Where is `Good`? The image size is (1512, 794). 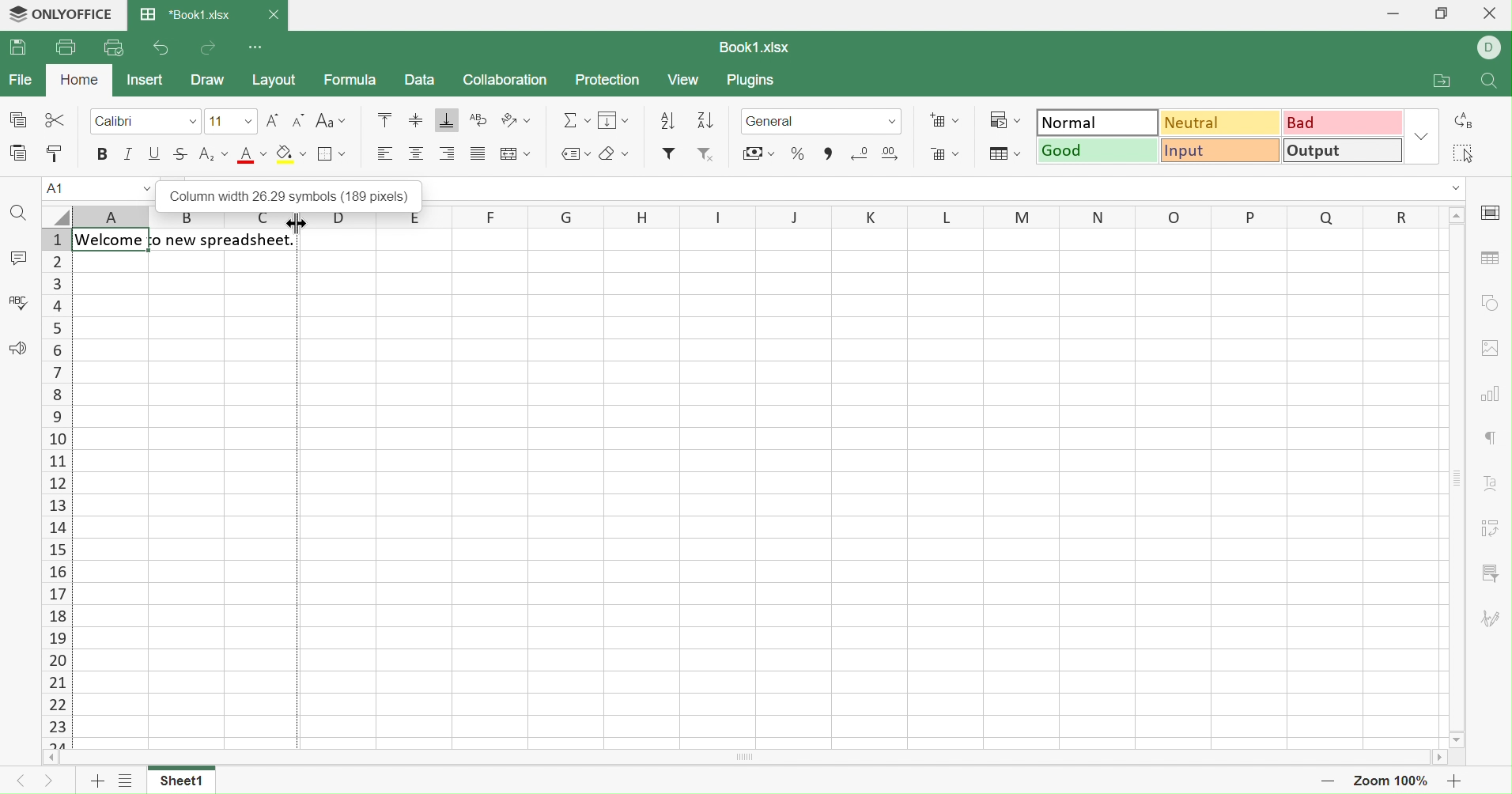 Good is located at coordinates (1098, 151).